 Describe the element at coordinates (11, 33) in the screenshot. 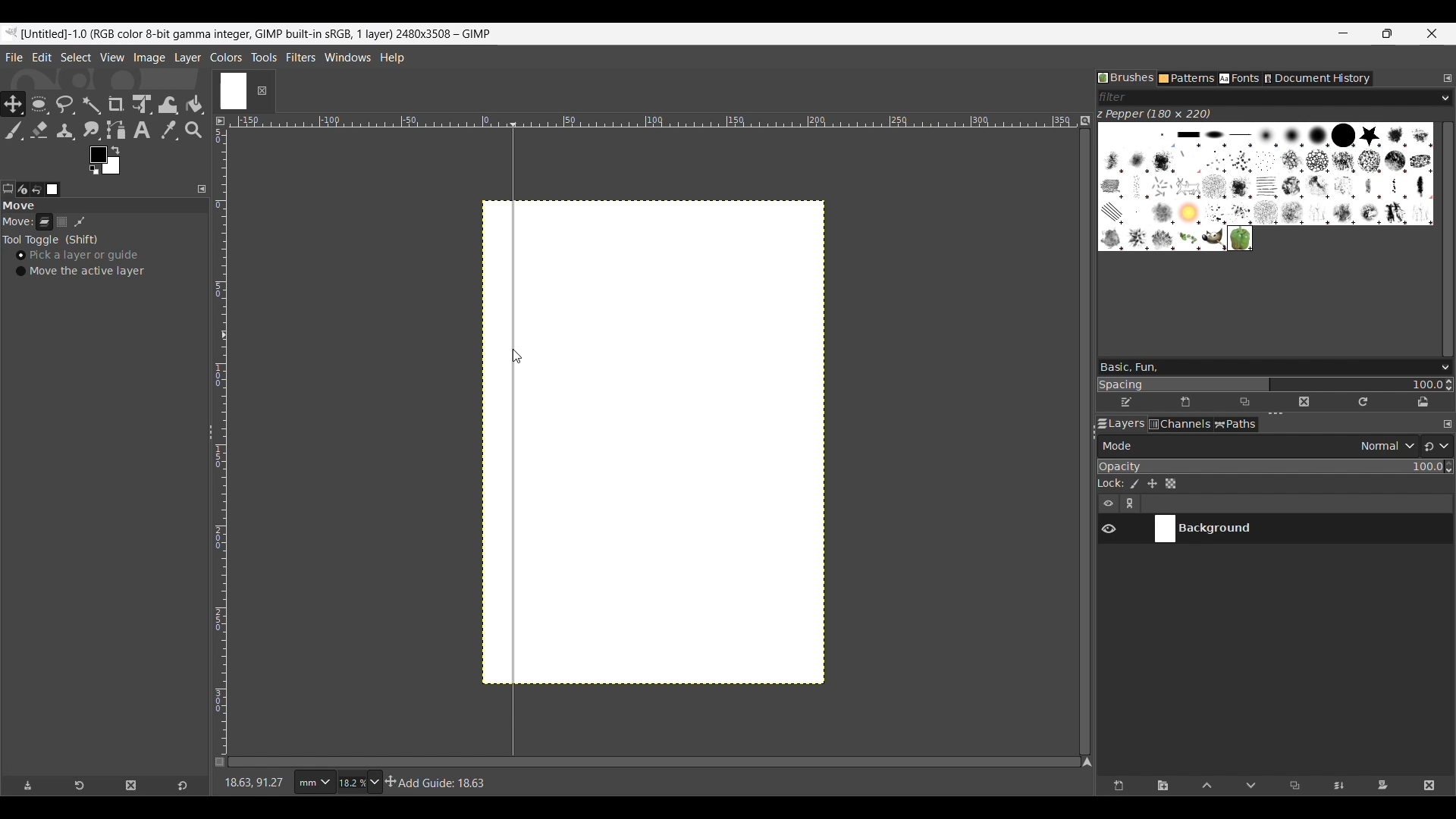

I see `Software logo` at that location.